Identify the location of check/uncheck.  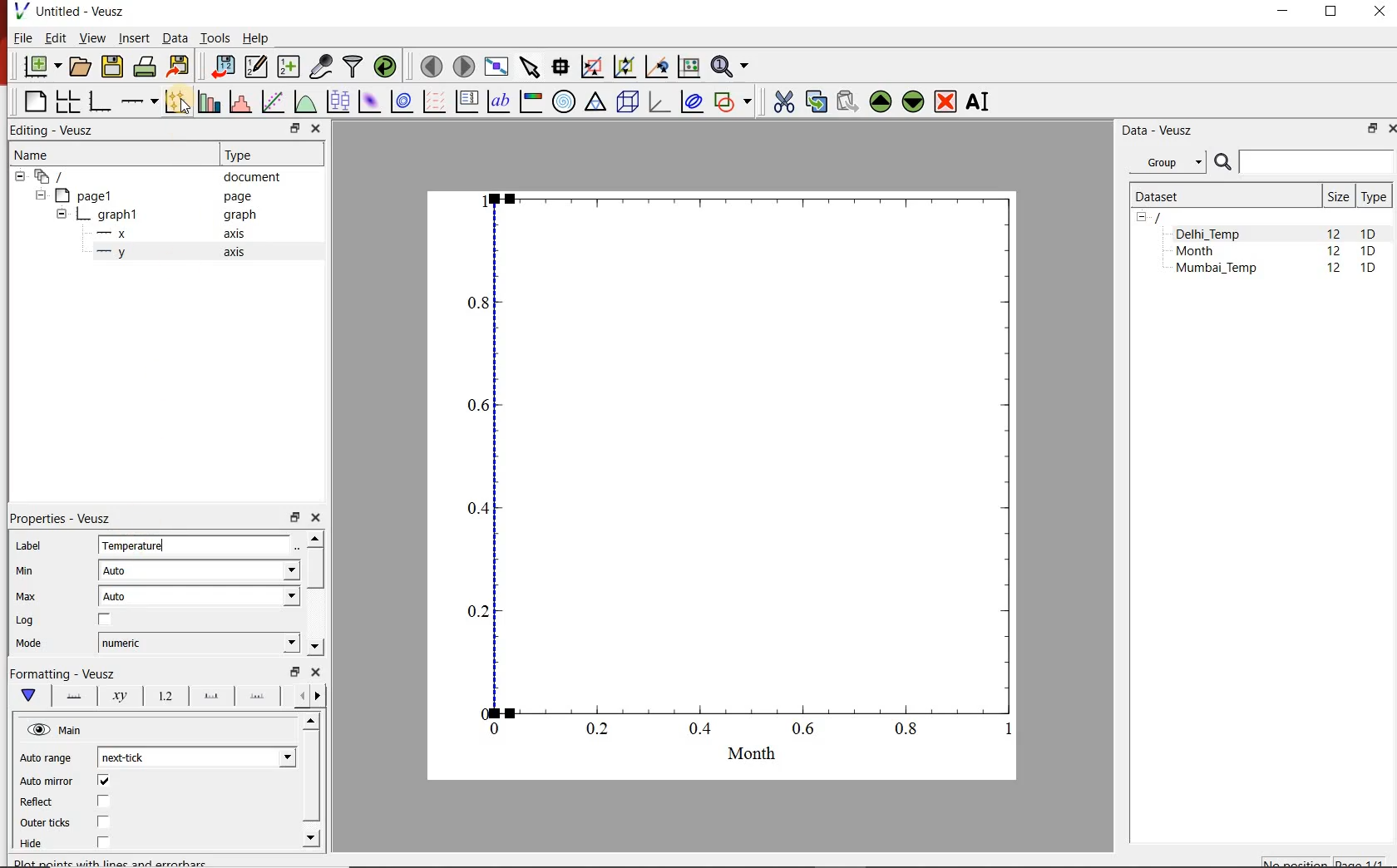
(102, 844).